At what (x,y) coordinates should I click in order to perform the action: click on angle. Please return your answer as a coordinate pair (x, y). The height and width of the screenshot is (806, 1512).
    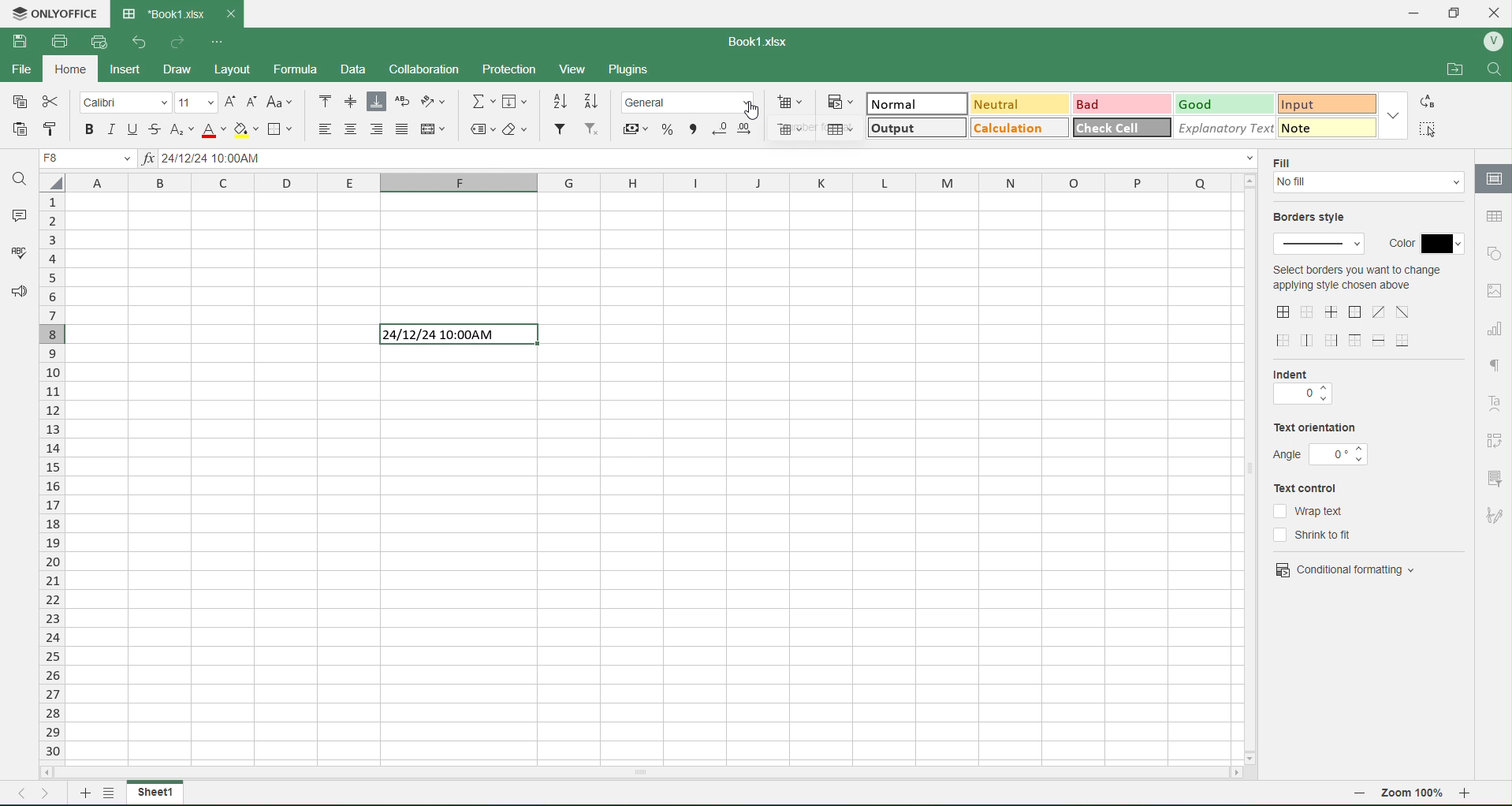
    Looking at the image, I should click on (1322, 454).